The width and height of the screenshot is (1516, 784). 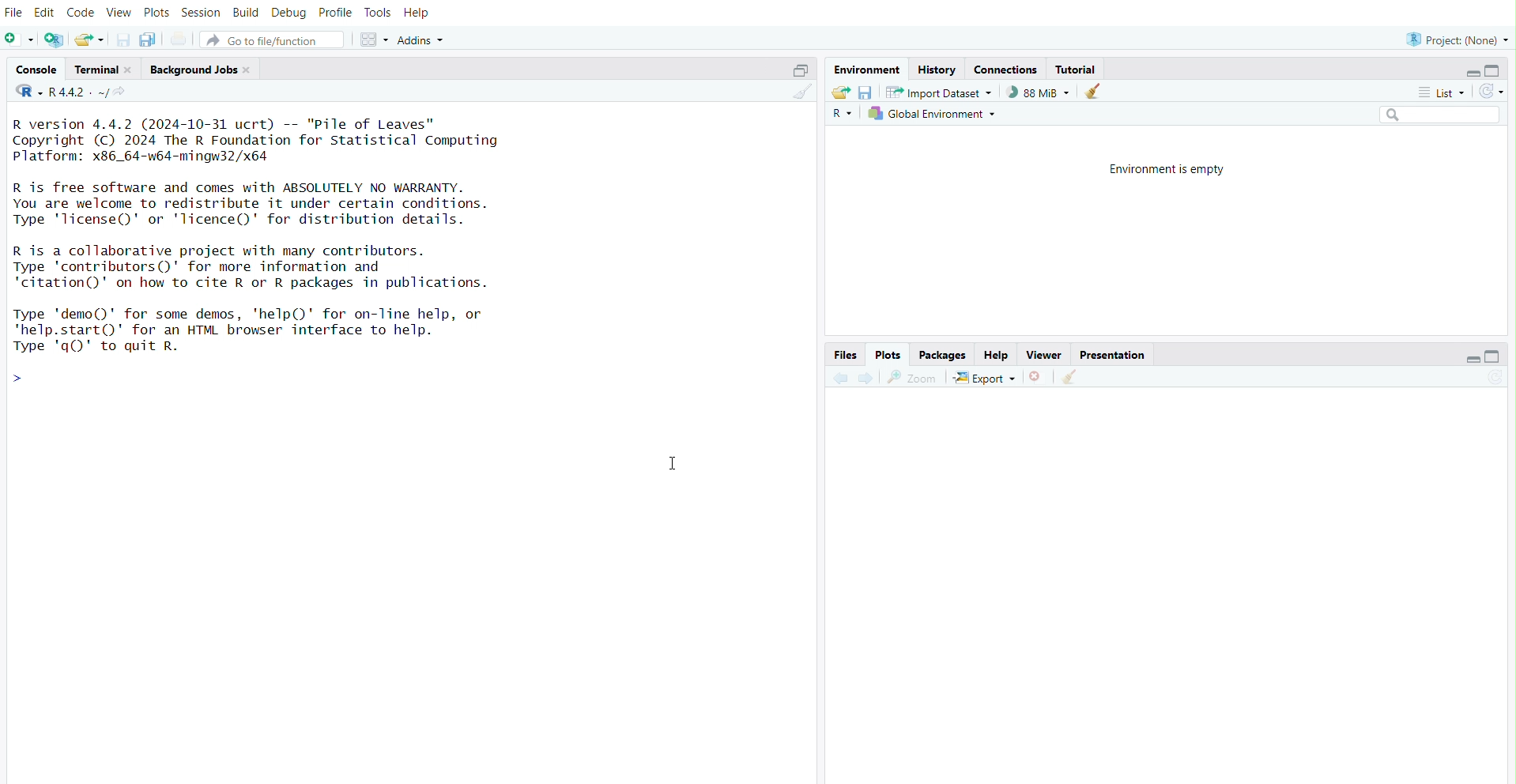 I want to click on new file, so click(x=19, y=40).